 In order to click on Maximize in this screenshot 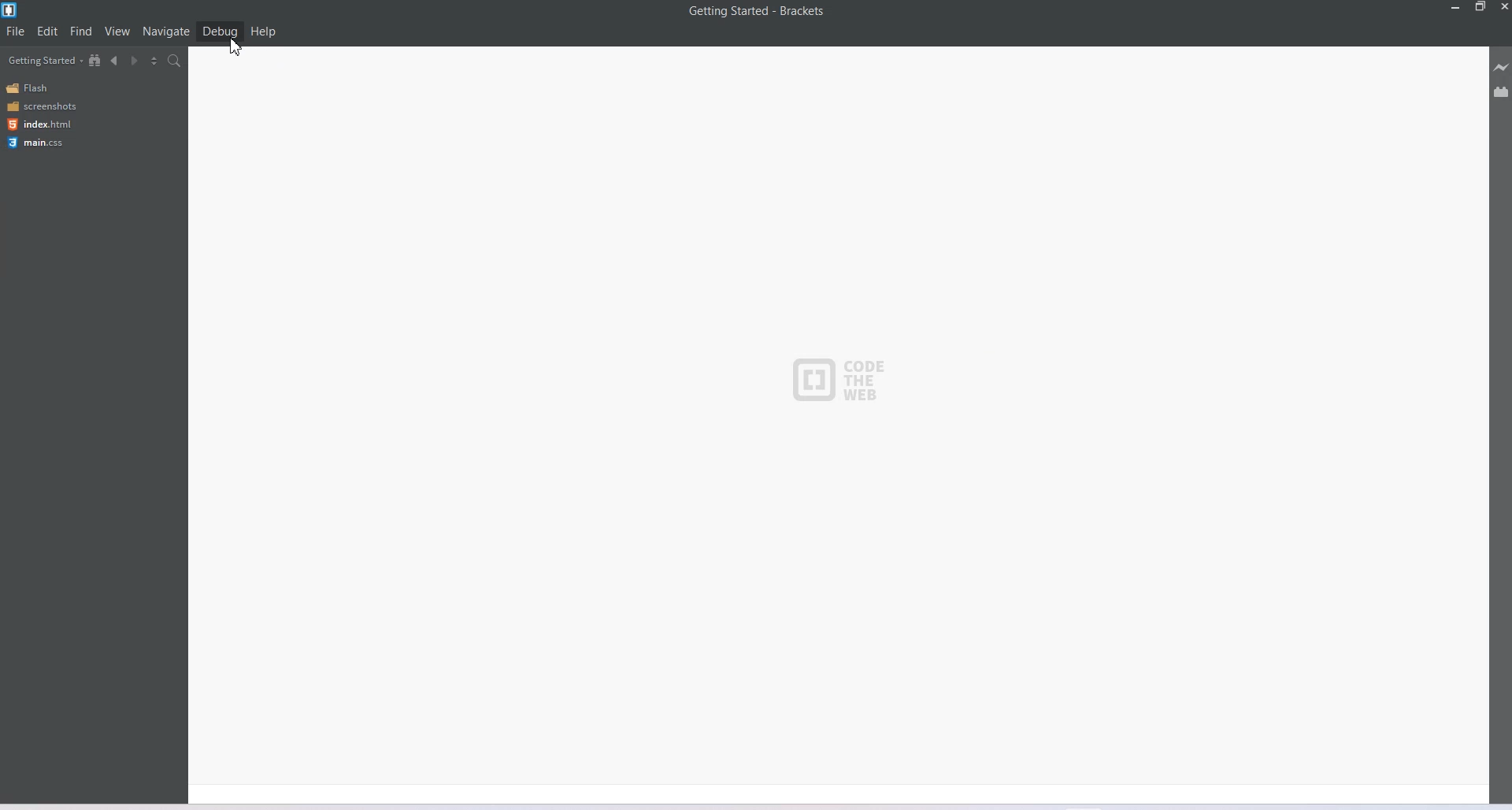, I will do `click(1480, 7)`.